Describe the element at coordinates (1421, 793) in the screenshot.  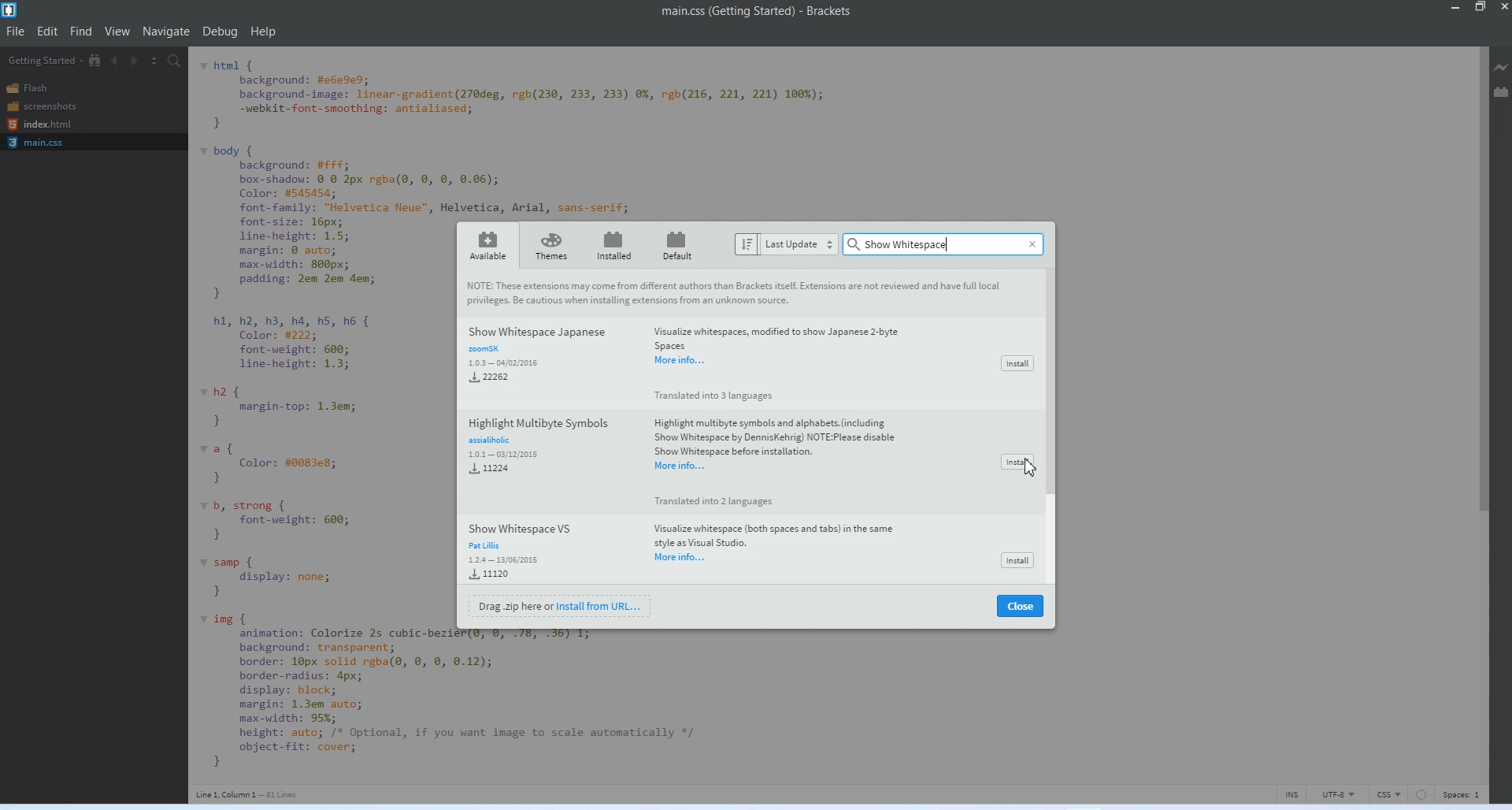
I see `Circle` at that location.